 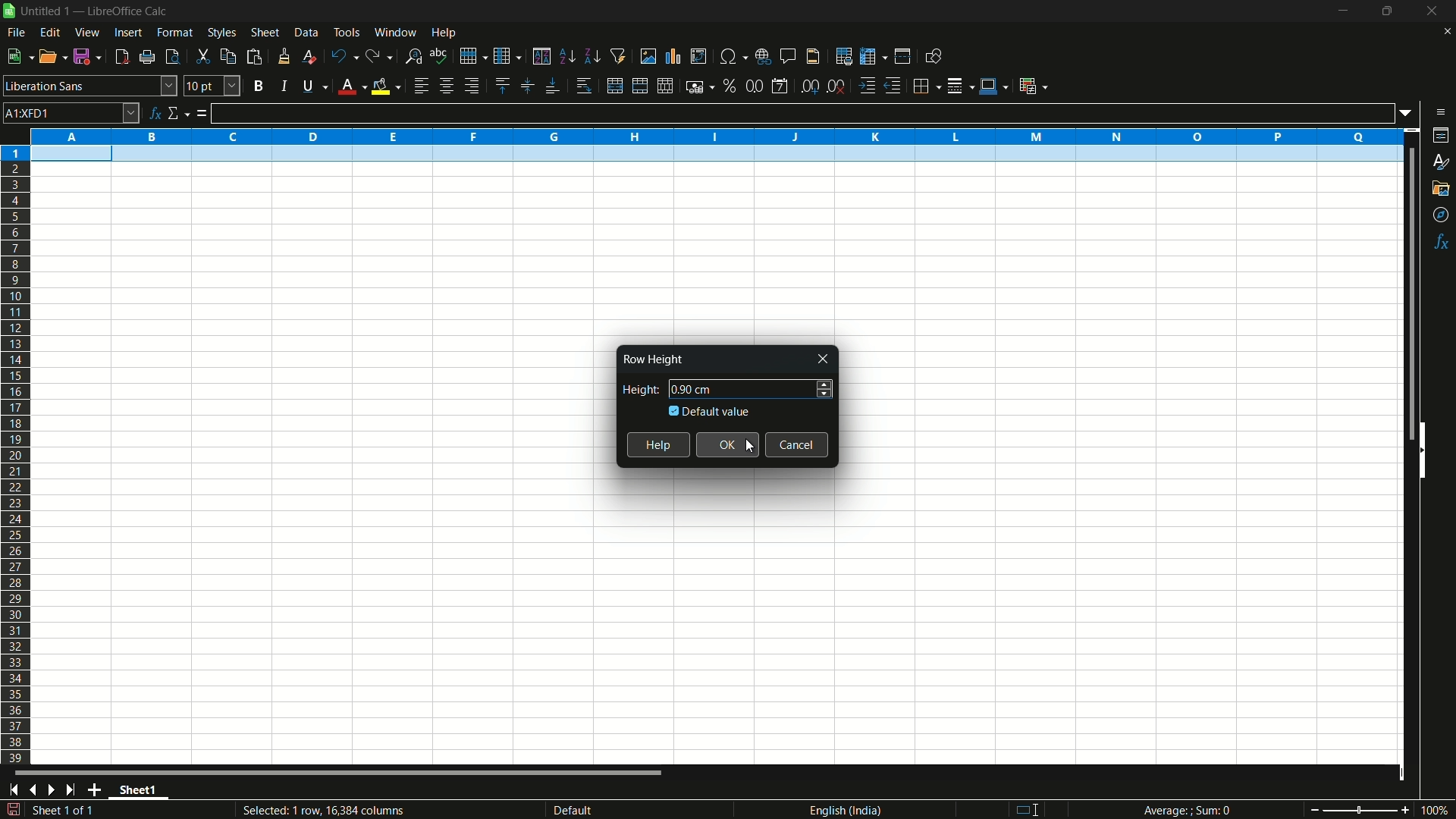 What do you see at coordinates (212, 86) in the screenshot?
I see `font size` at bounding box center [212, 86].